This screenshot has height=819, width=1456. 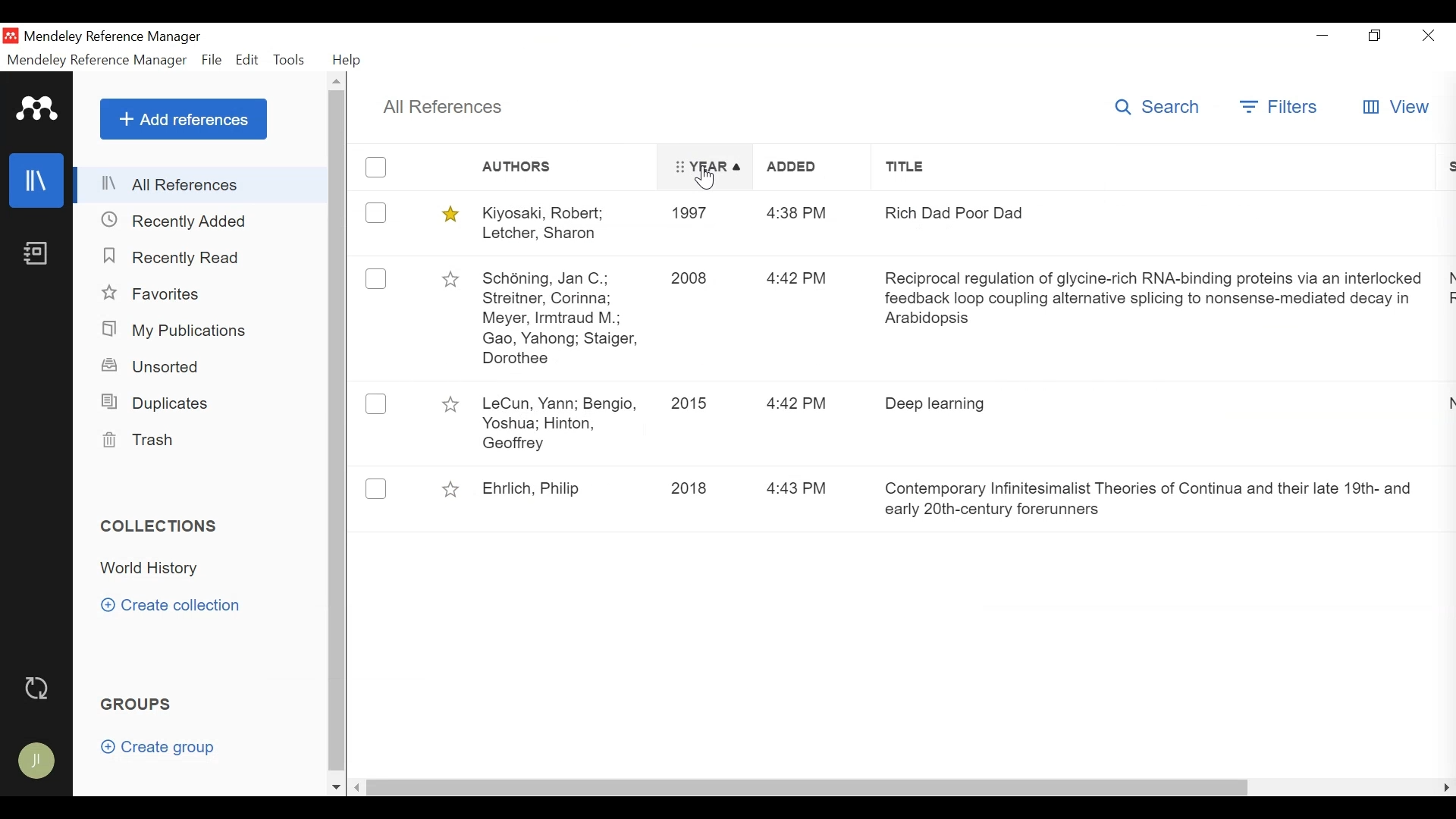 I want to click on Collections, so click(x=160, y=526).